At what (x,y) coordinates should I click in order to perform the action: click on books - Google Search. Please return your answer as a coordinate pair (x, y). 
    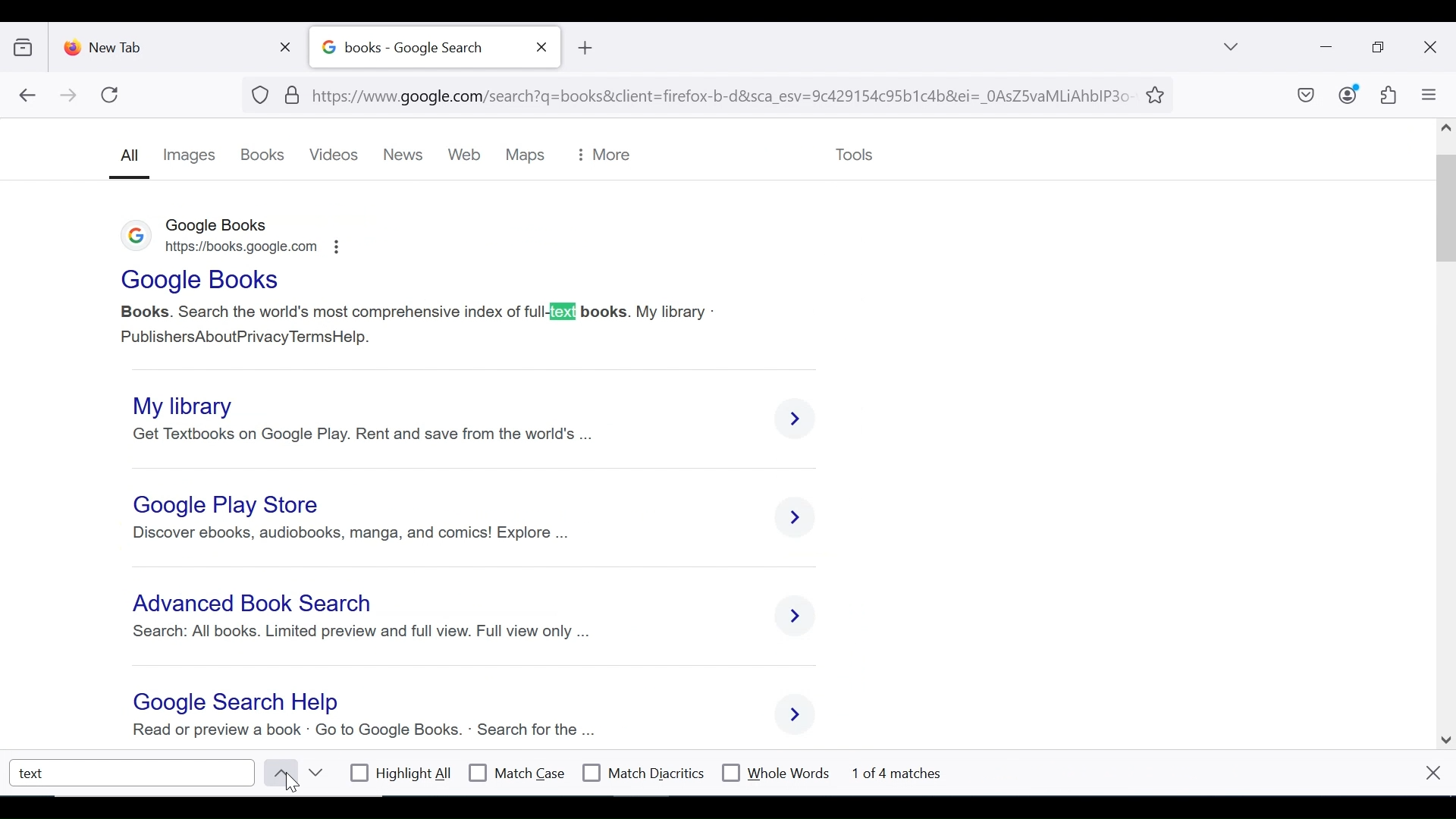
    Looking at the image, I should click on (418, 48).